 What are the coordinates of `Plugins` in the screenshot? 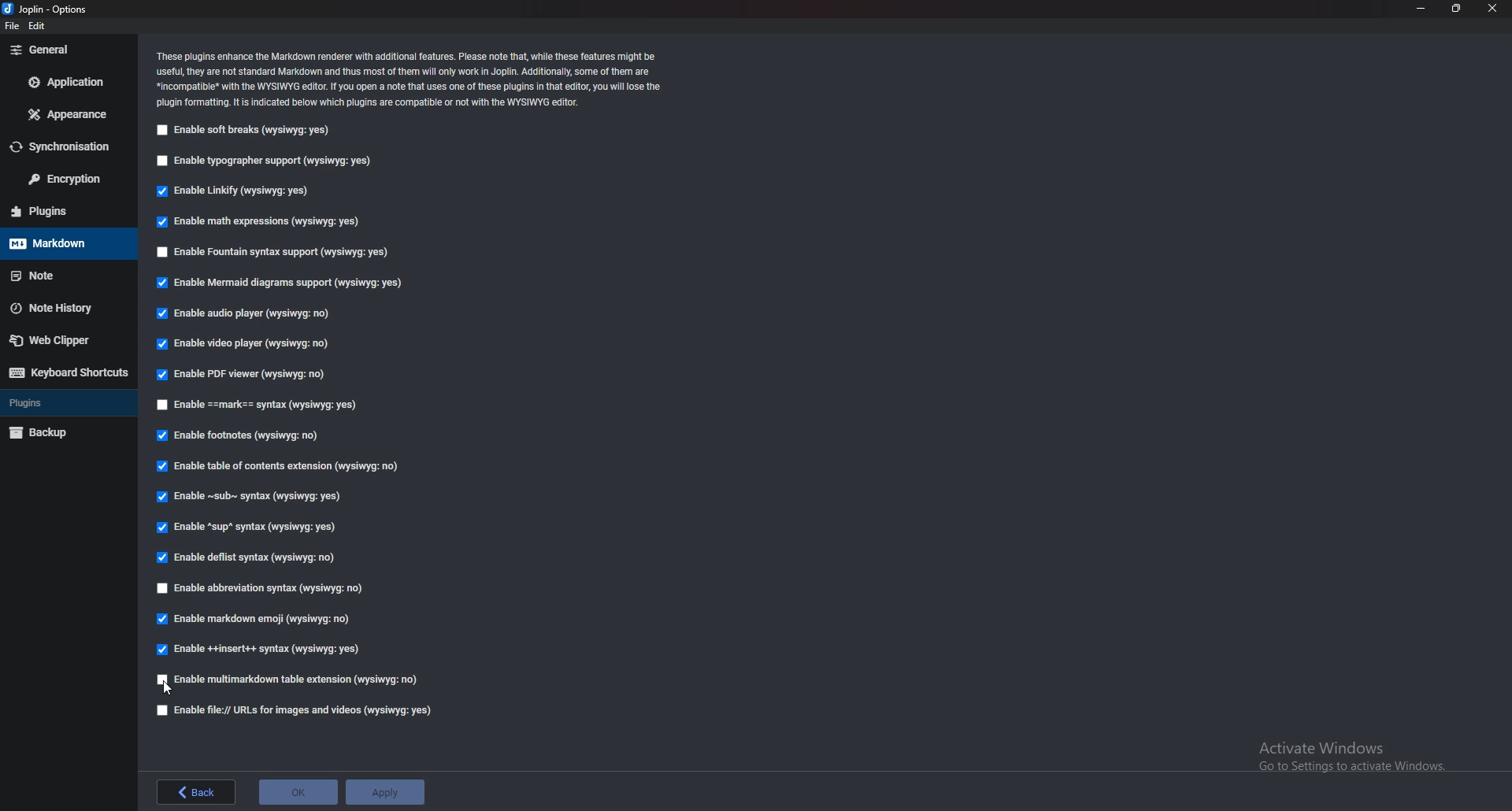 It's located at (62, 211).